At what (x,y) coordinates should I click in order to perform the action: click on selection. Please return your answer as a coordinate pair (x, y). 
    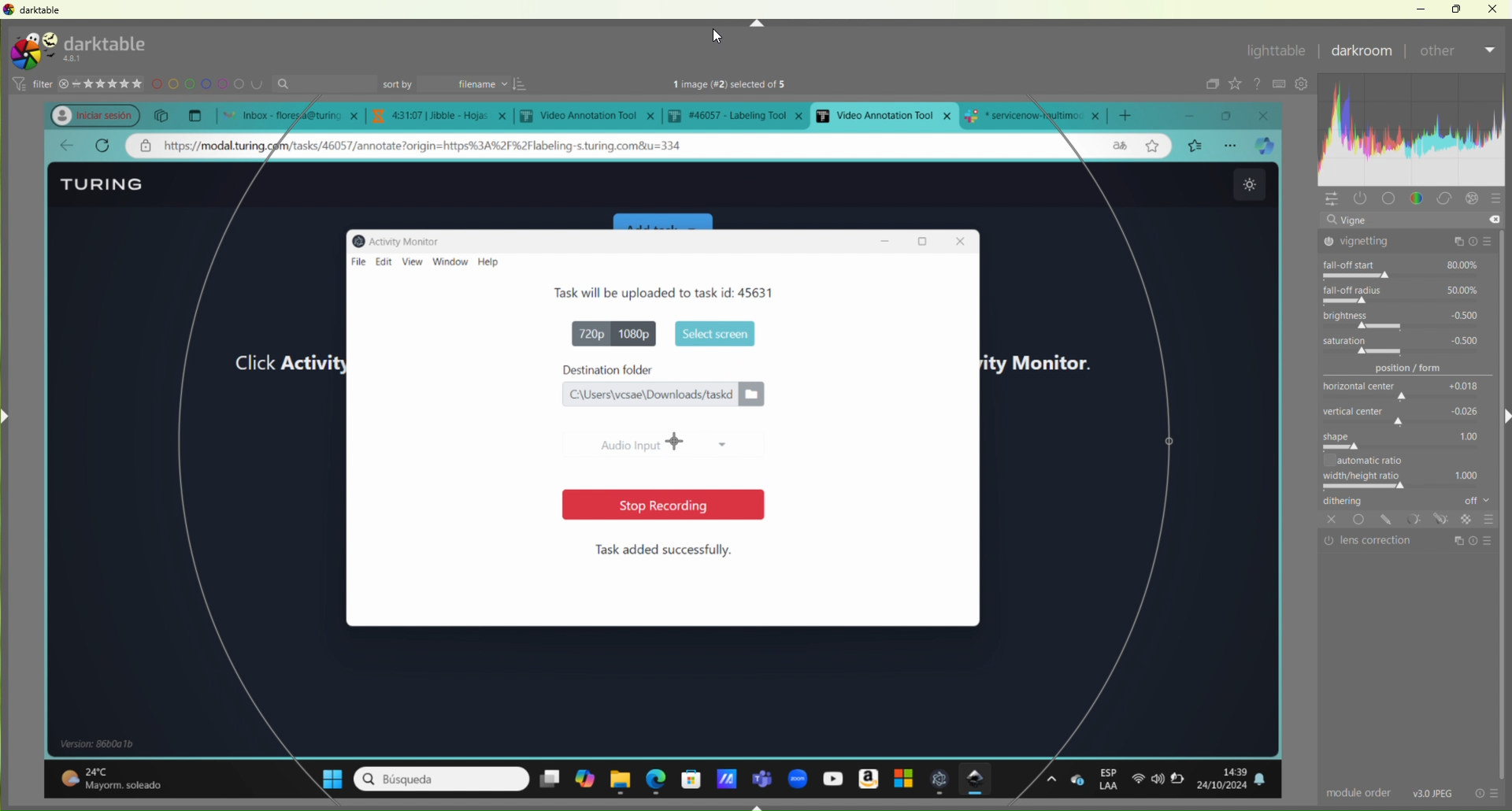
    Looking at the image, I should click on (1168, 455).